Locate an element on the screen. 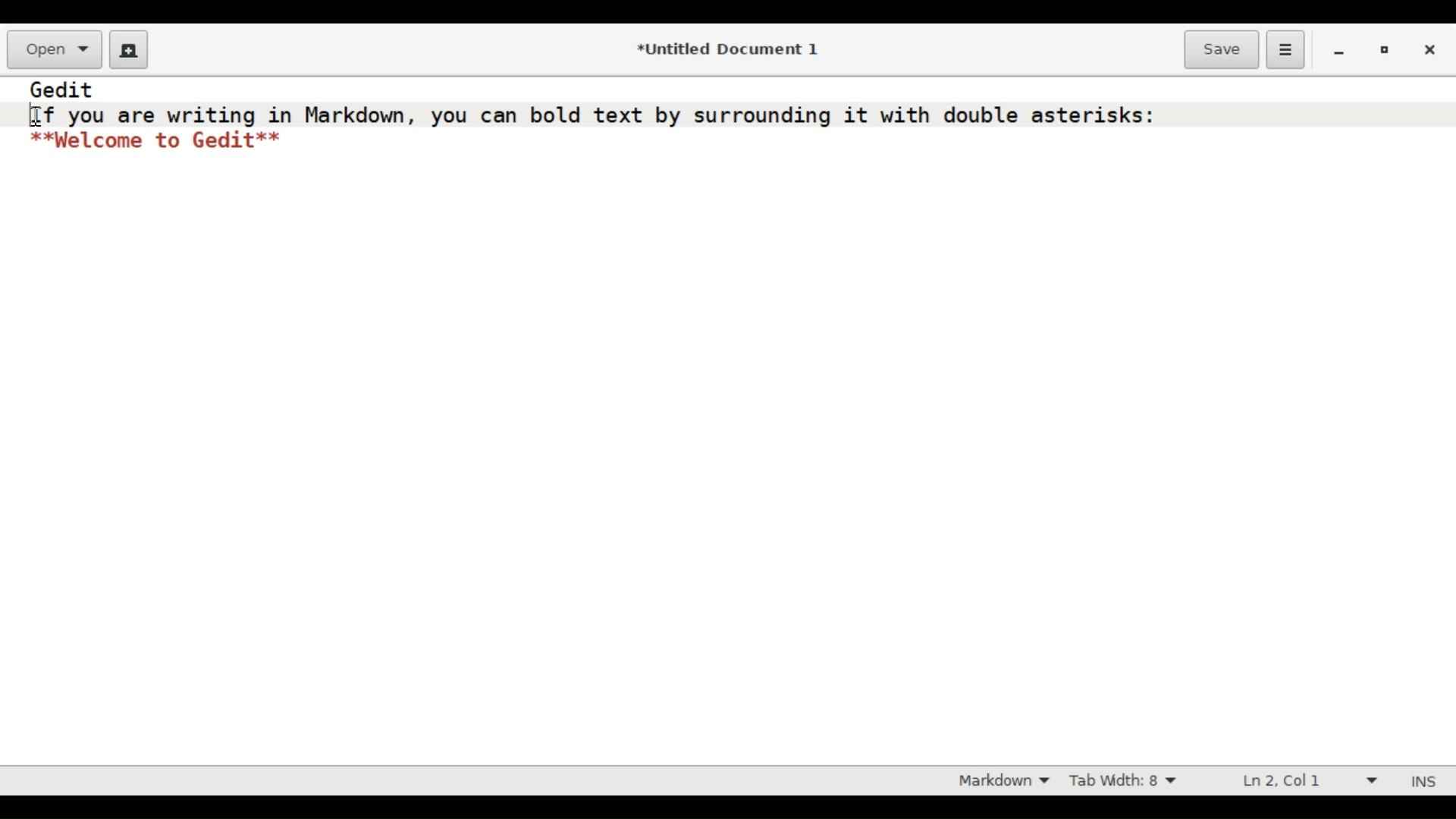 This screenshot has width=1456, height=819. Save is located at coordinates (1221, 48).